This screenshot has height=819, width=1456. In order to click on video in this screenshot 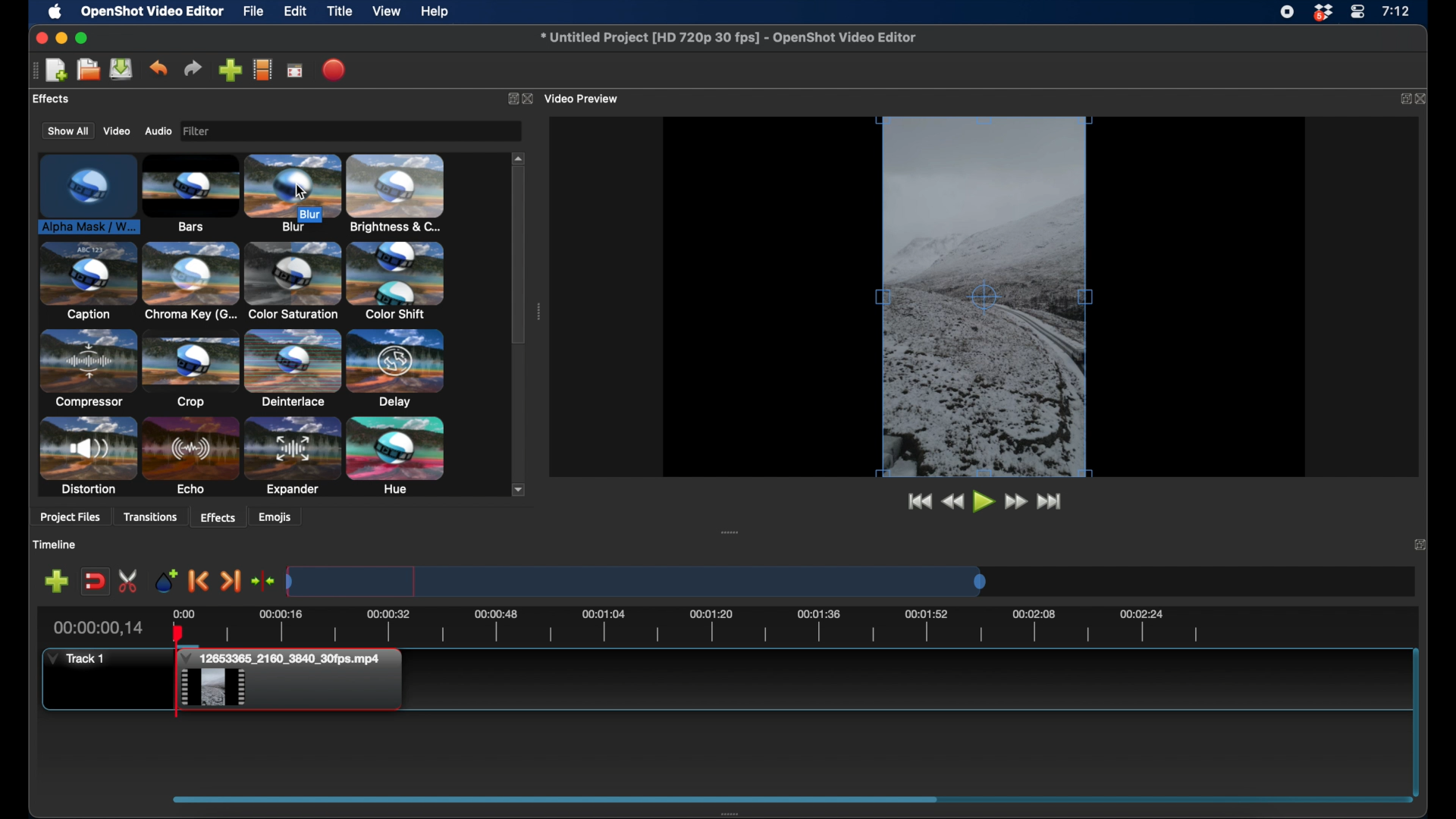, I will do `click(115, 131)`.